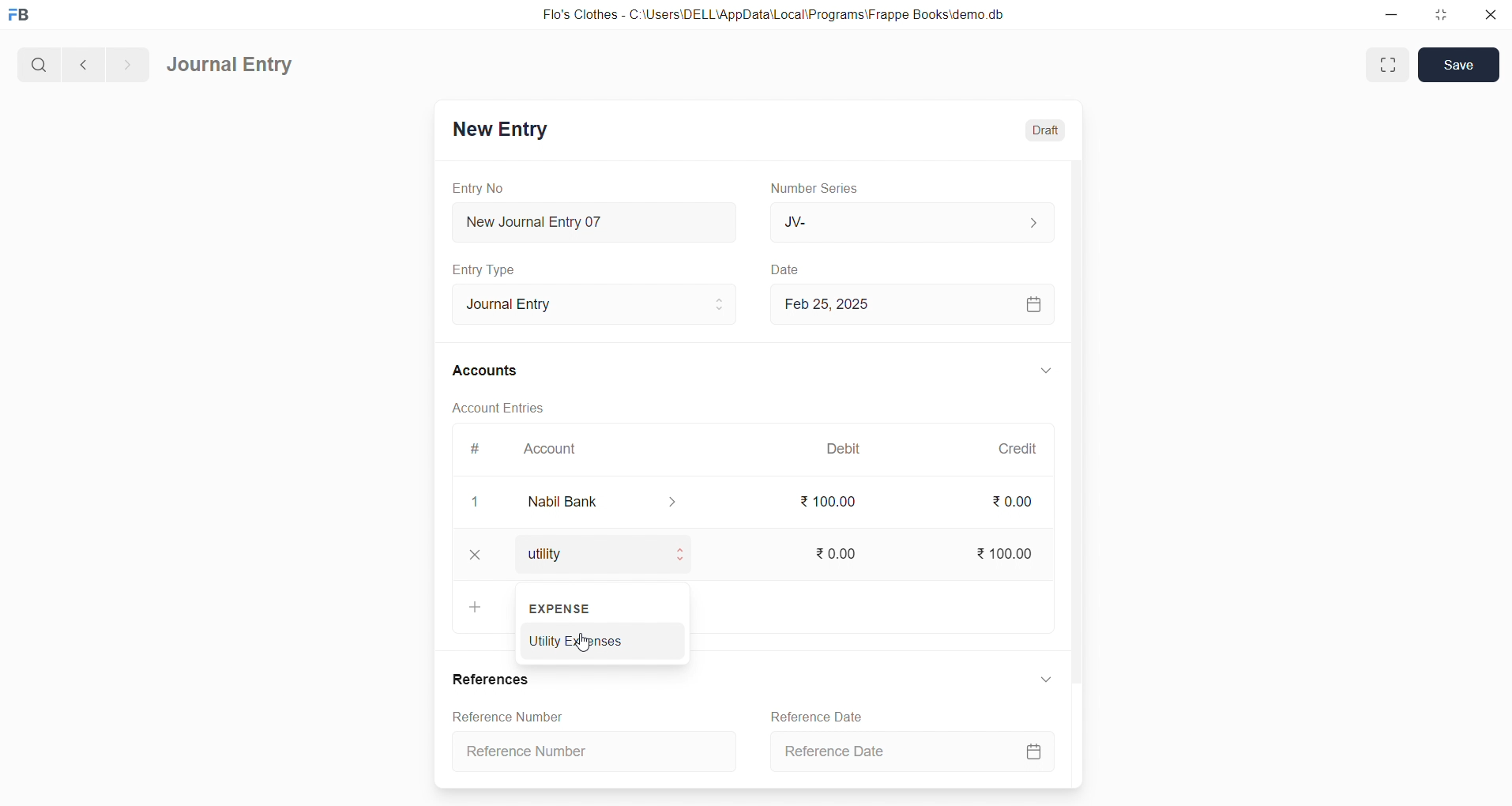 The width and height of the screenshot is (1512, 806). Describe the element at coordinates (909, 752) in the screenshot. I see `Reference Date` at that location.